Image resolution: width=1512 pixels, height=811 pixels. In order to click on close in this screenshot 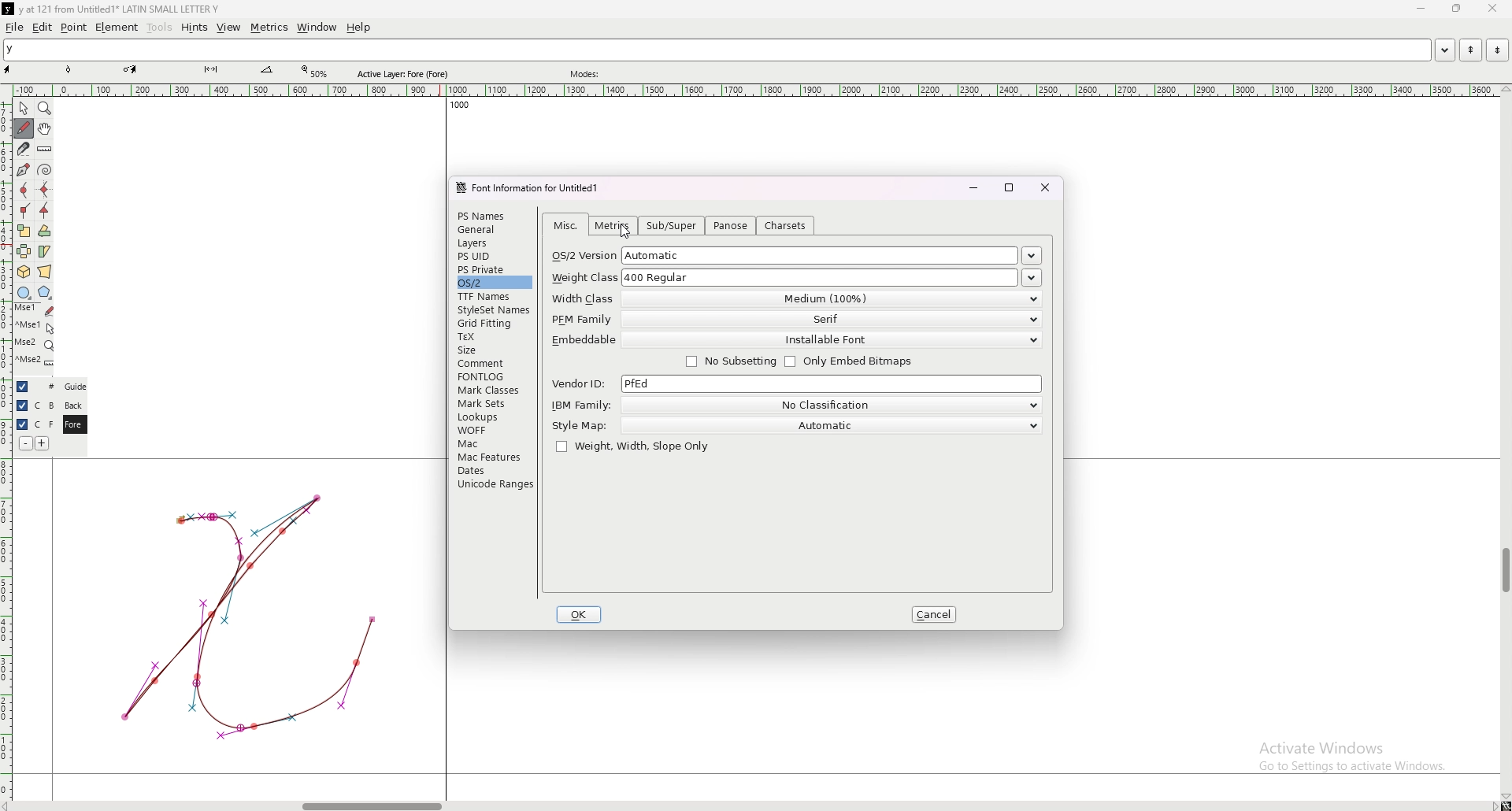, I will do `click(1491, 9)`.